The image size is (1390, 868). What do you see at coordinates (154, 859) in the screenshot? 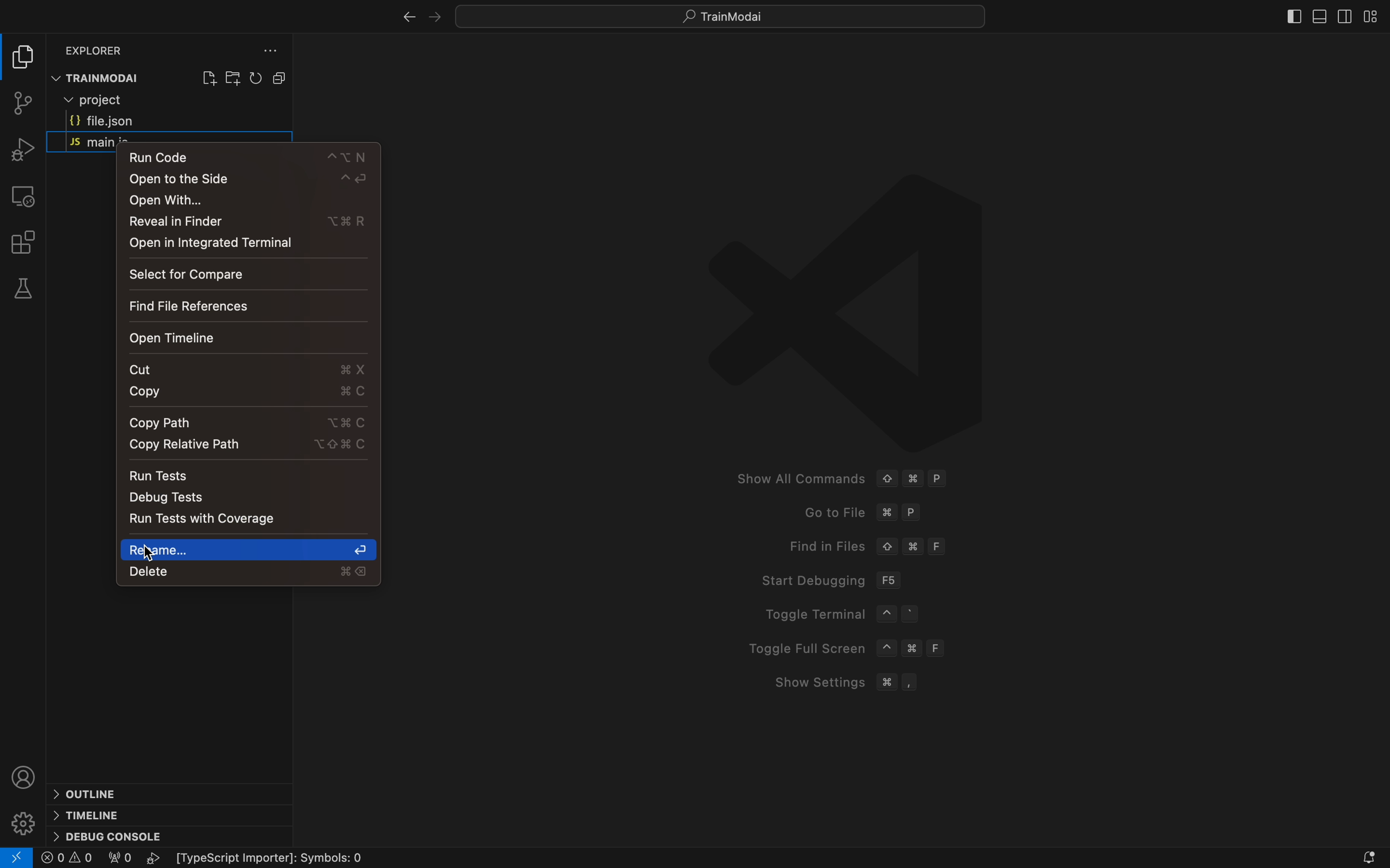
I see `play` at bounding box center [154, 859].